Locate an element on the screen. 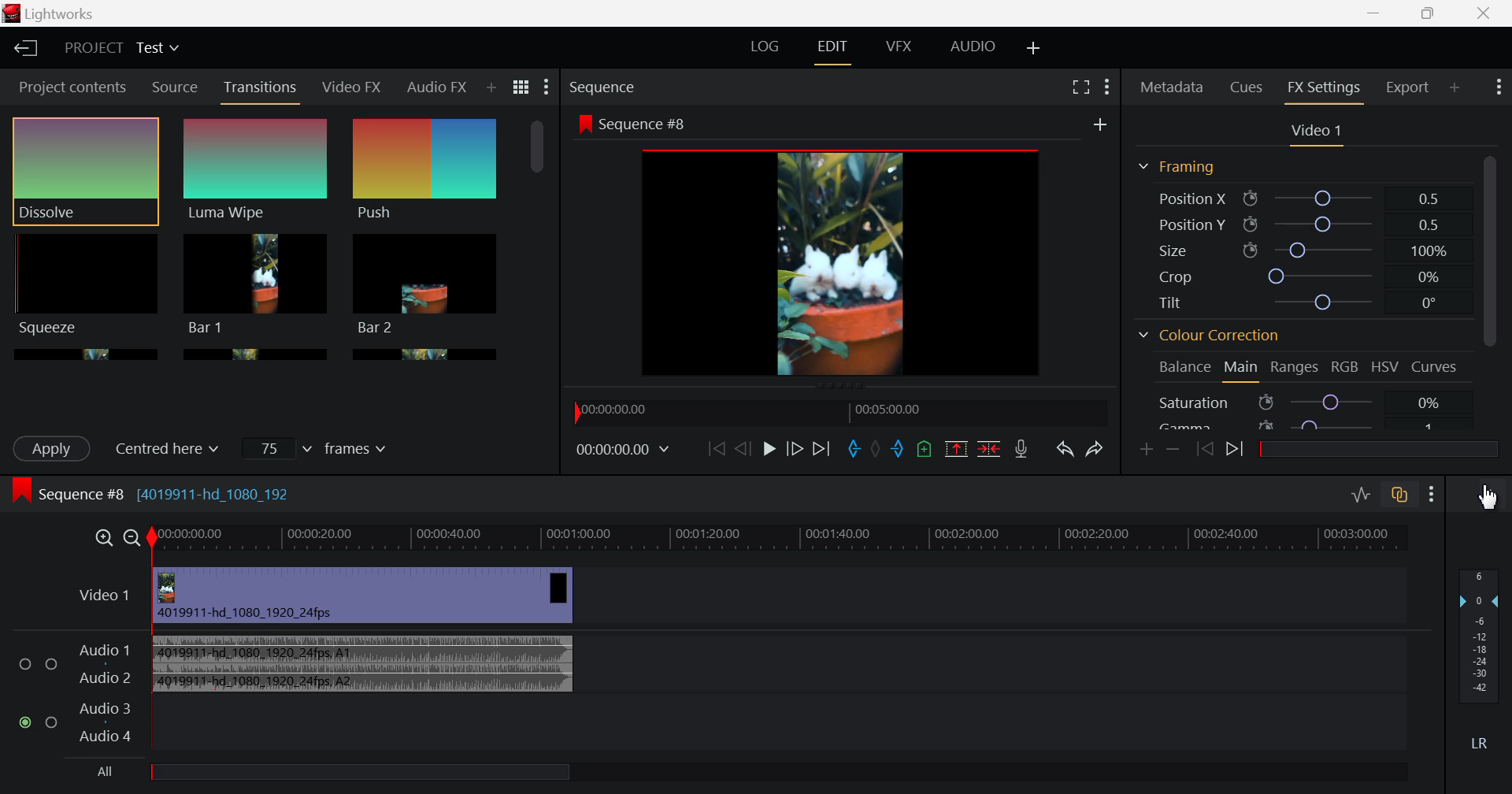  Bar 1 is located at coordinates (256, 284).